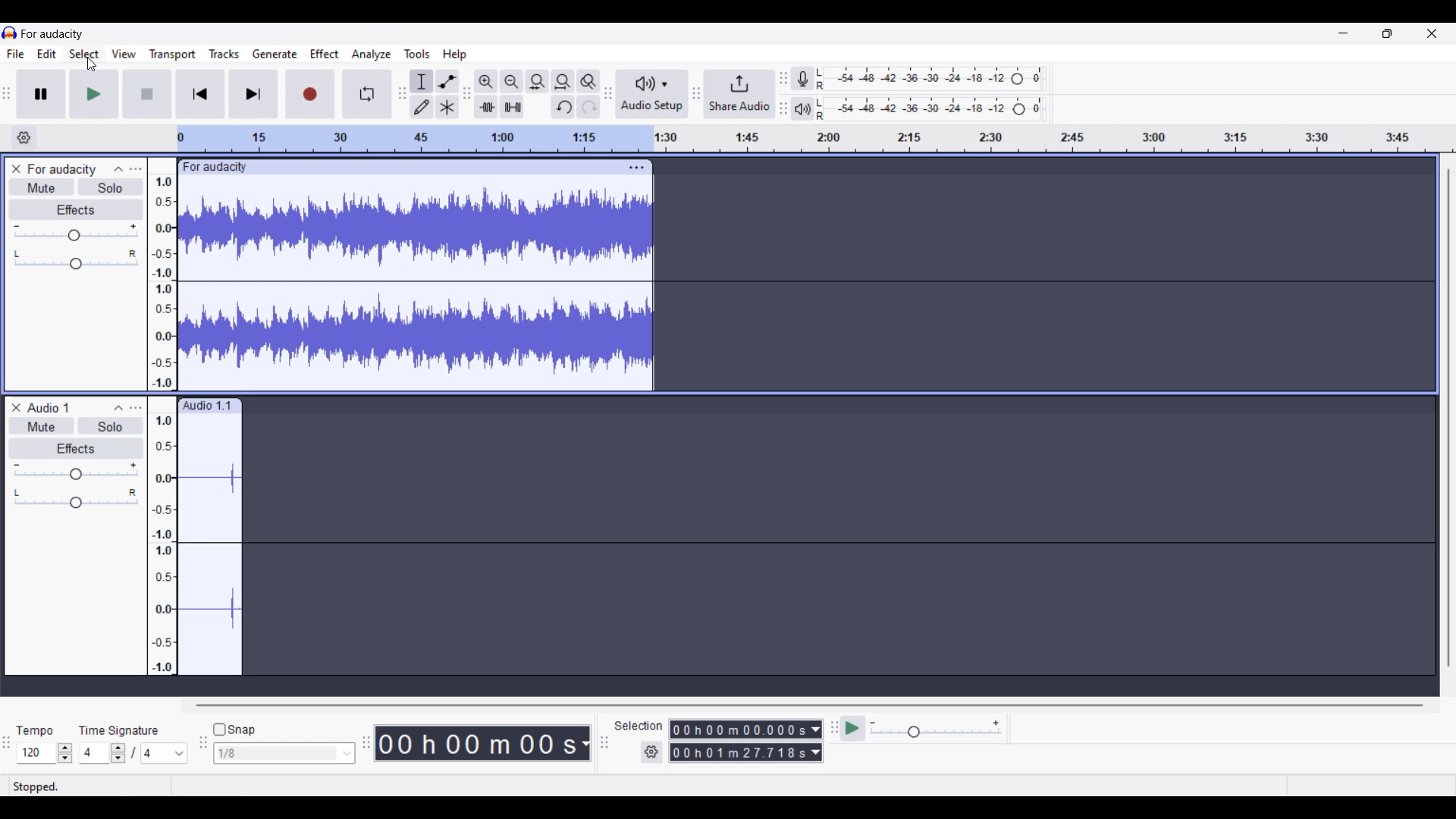 Image resolution: width=1456 pixels, height=819 pixels. What do you see at coordinates (10, 33) in the screenshot?
I see `Software logo` at bounding box center [10, 33].